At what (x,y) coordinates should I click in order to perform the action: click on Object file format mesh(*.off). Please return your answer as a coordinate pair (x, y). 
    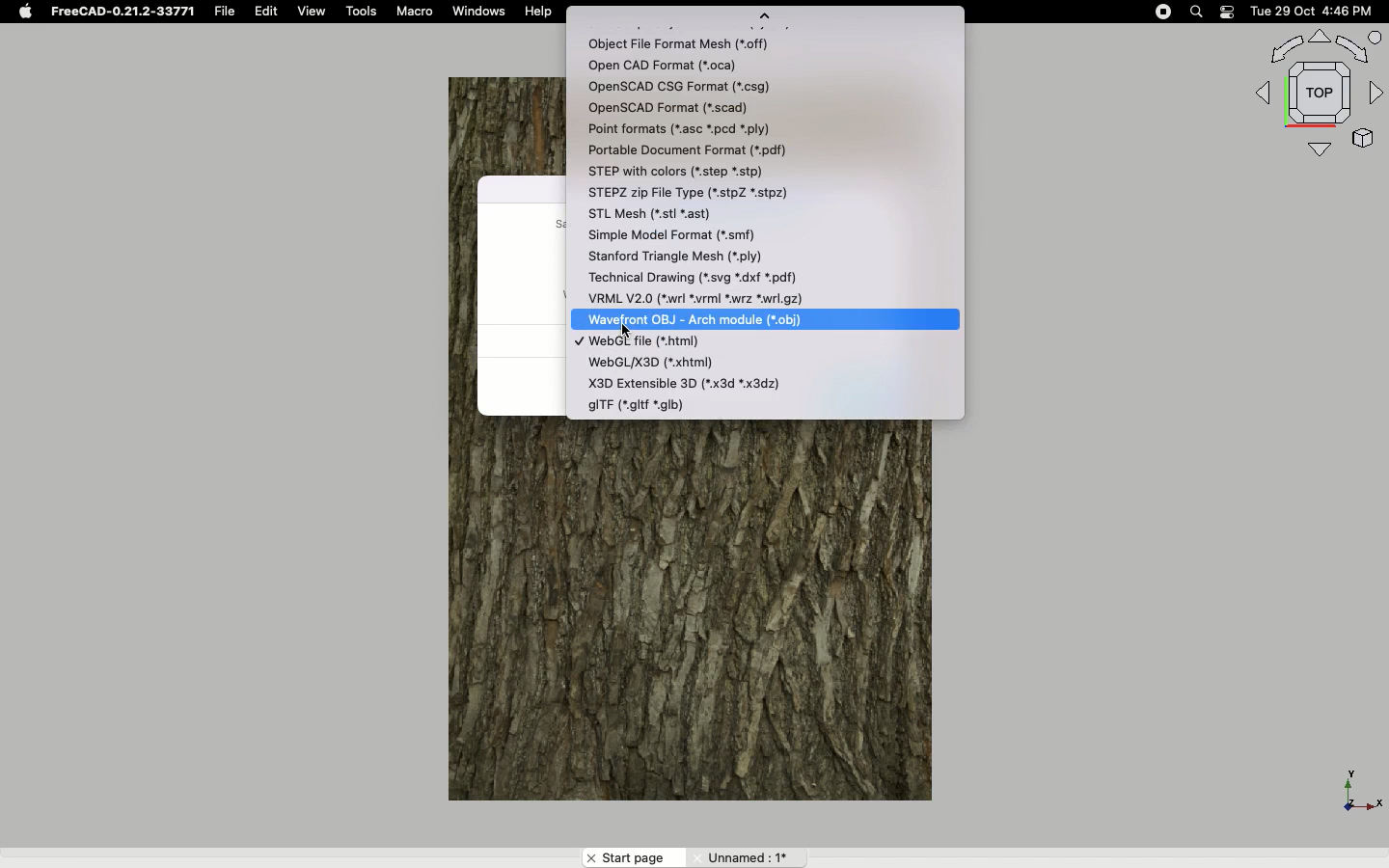
    Looking at the image, I should click on (685, 42).